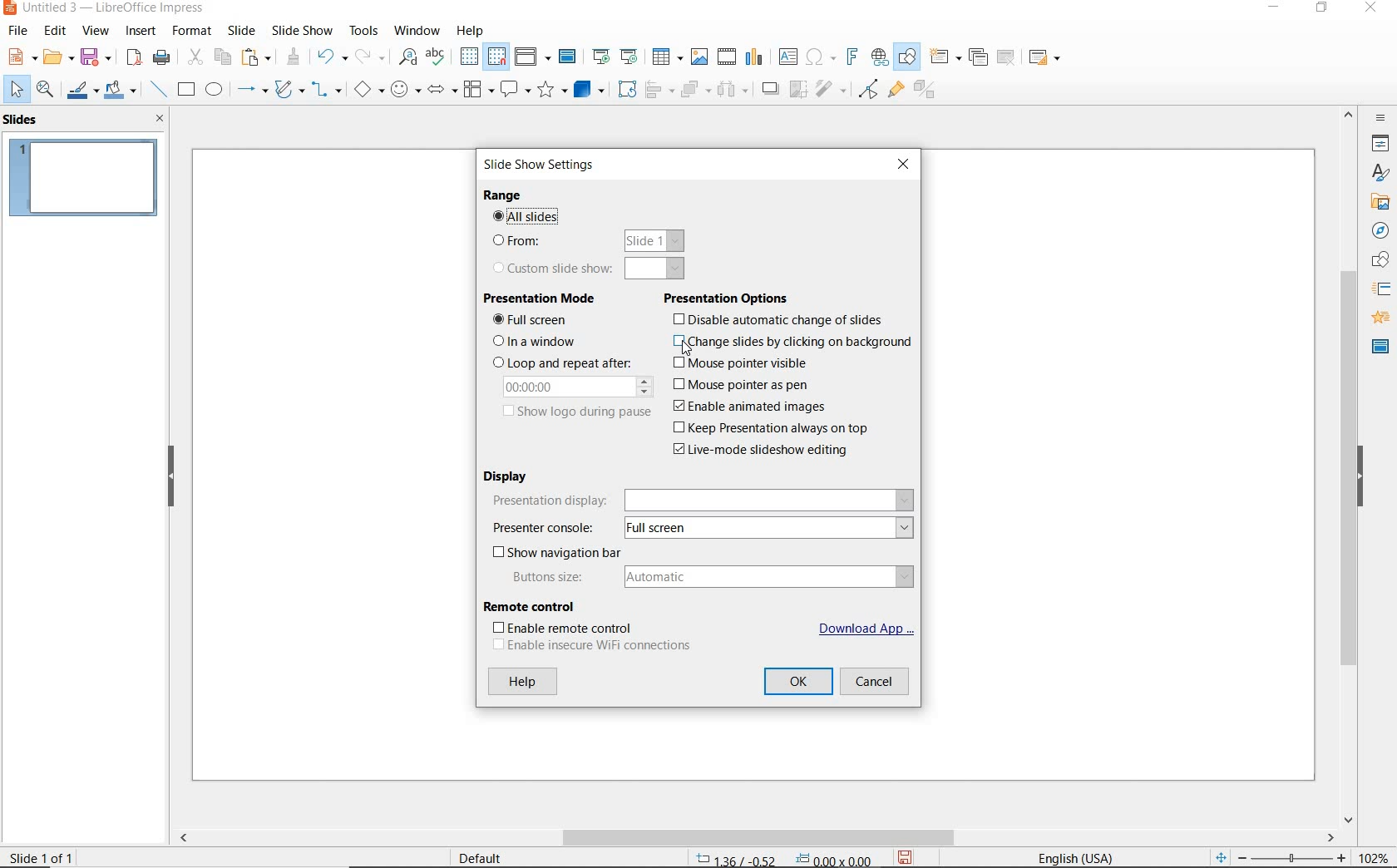 This screenshot has height=868, width=1397. I want to click on SLIDE LAYOUT, so click(1044, 57).